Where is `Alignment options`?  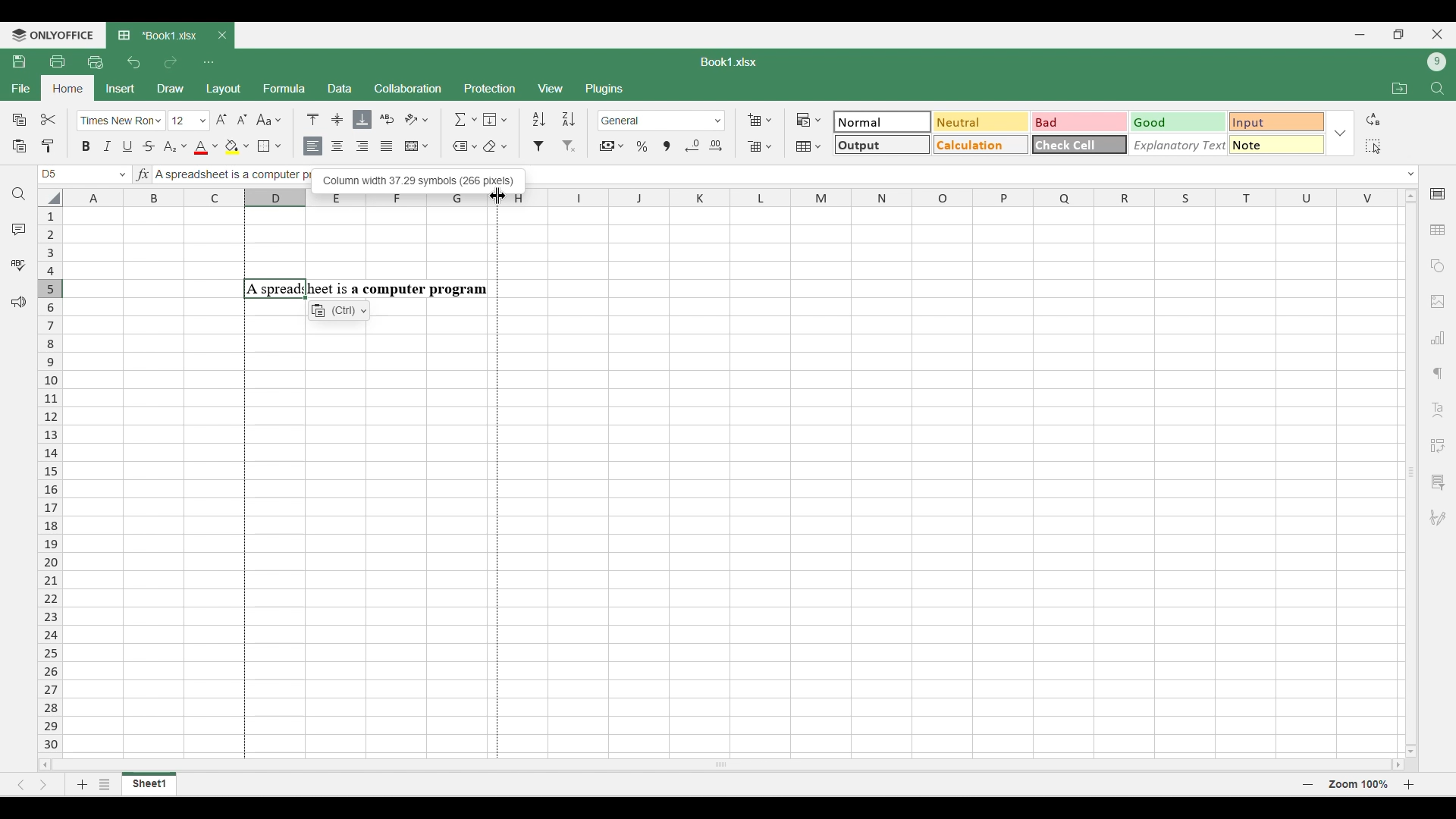 Alignment options is located at coordinates (350, 147).